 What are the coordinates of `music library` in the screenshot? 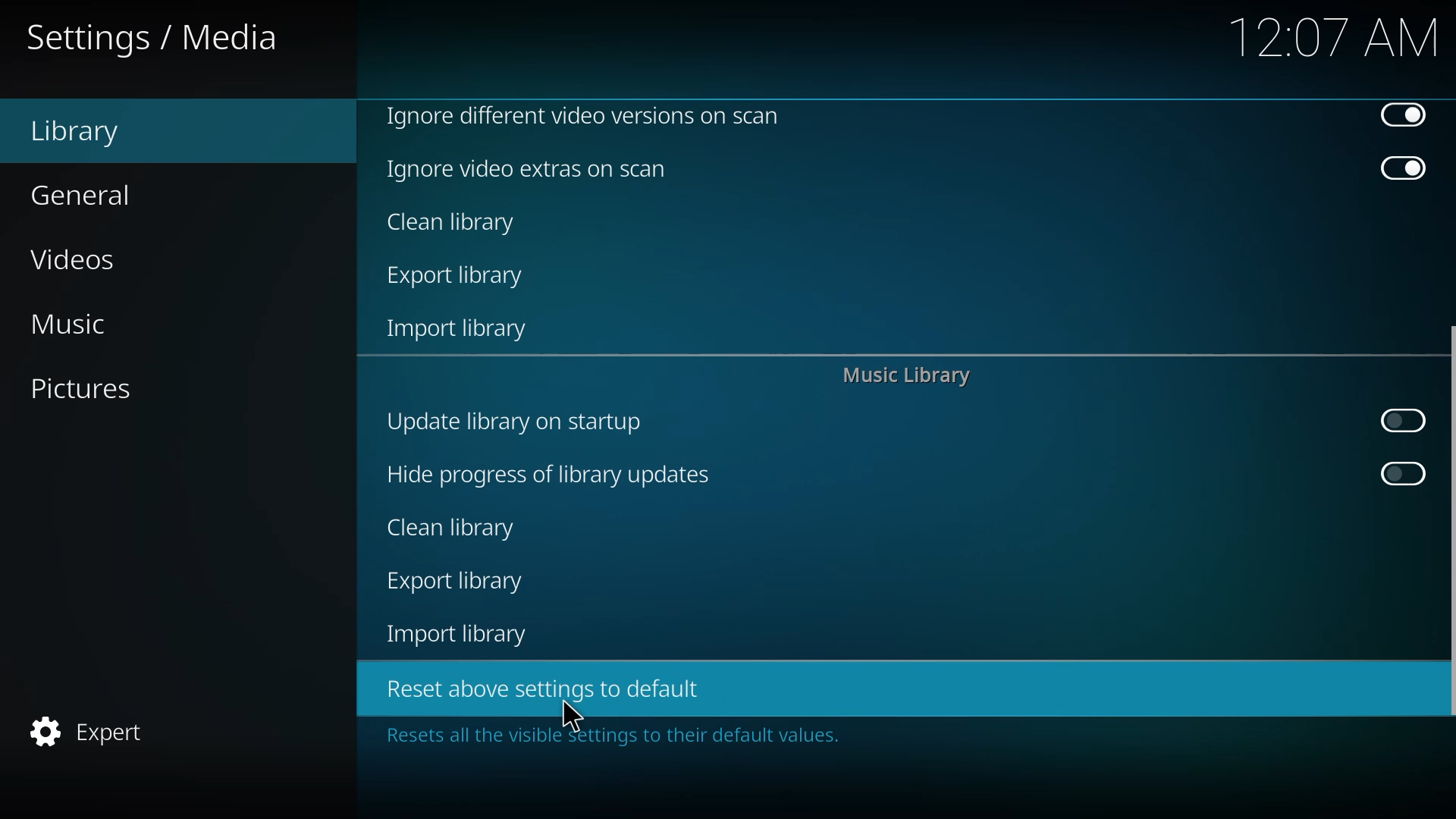 It's located at (904, 378).